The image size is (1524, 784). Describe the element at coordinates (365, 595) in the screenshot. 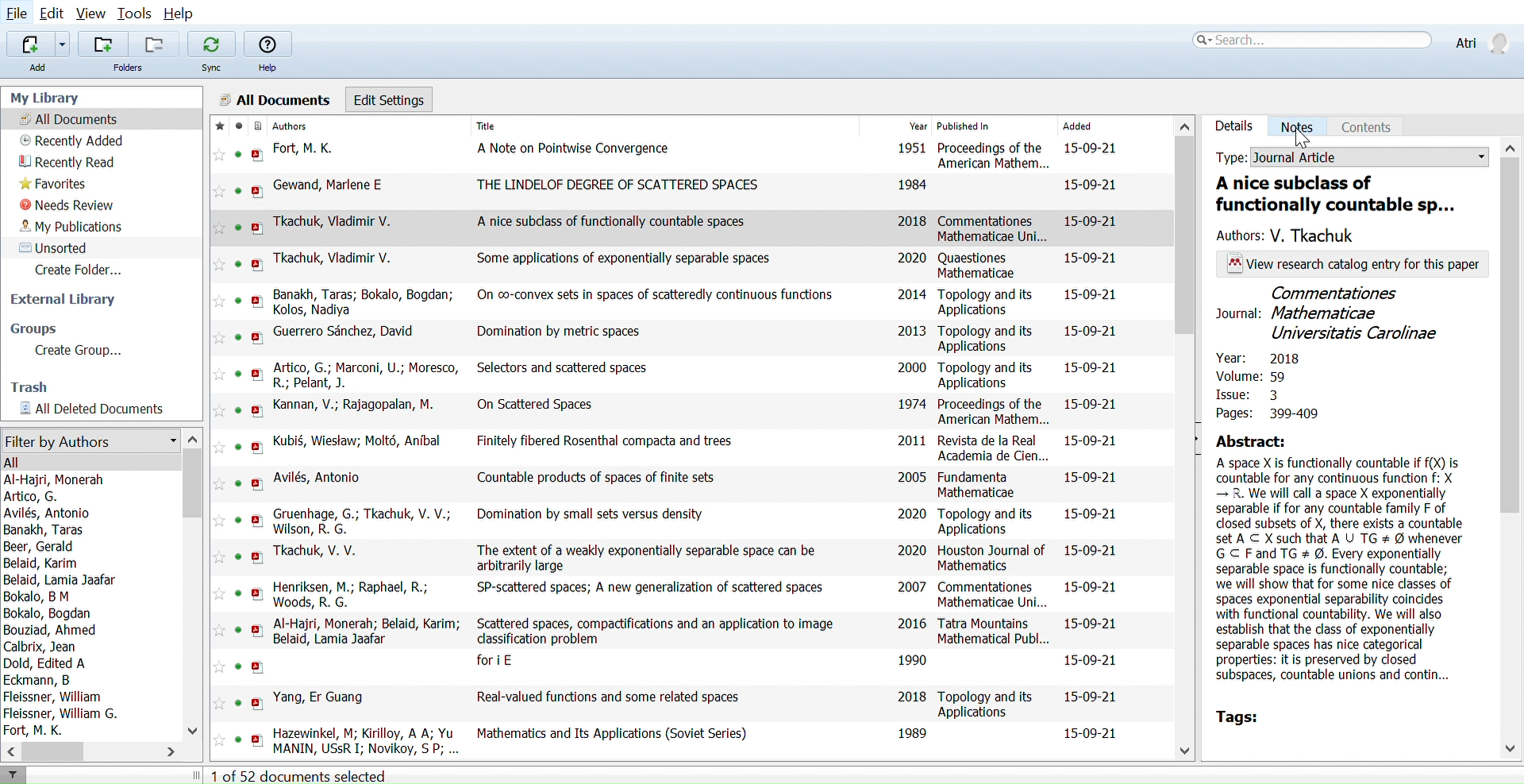

I see `Henriksen, M.; Raphael, R.; Woods, R. G.` at that location.